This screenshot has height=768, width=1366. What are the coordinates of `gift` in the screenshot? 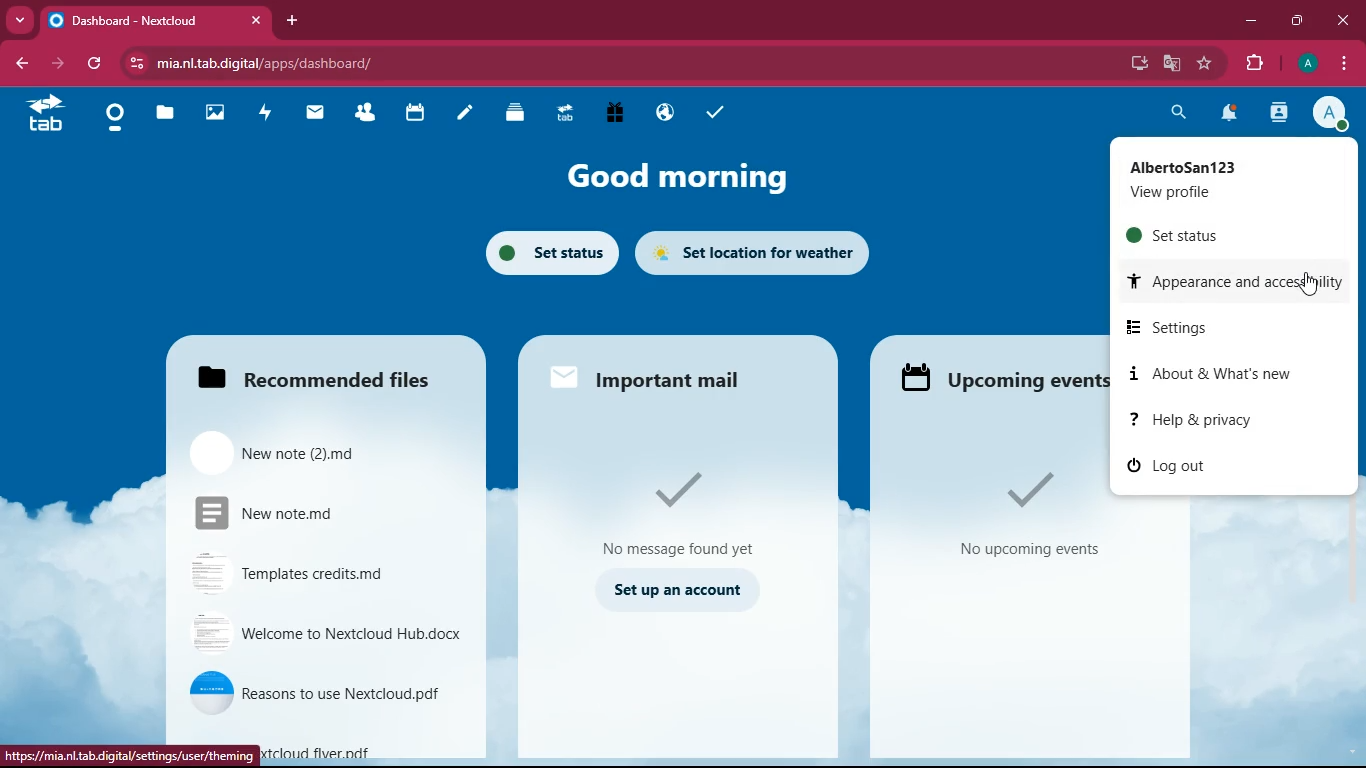 It's located at (616, 114).